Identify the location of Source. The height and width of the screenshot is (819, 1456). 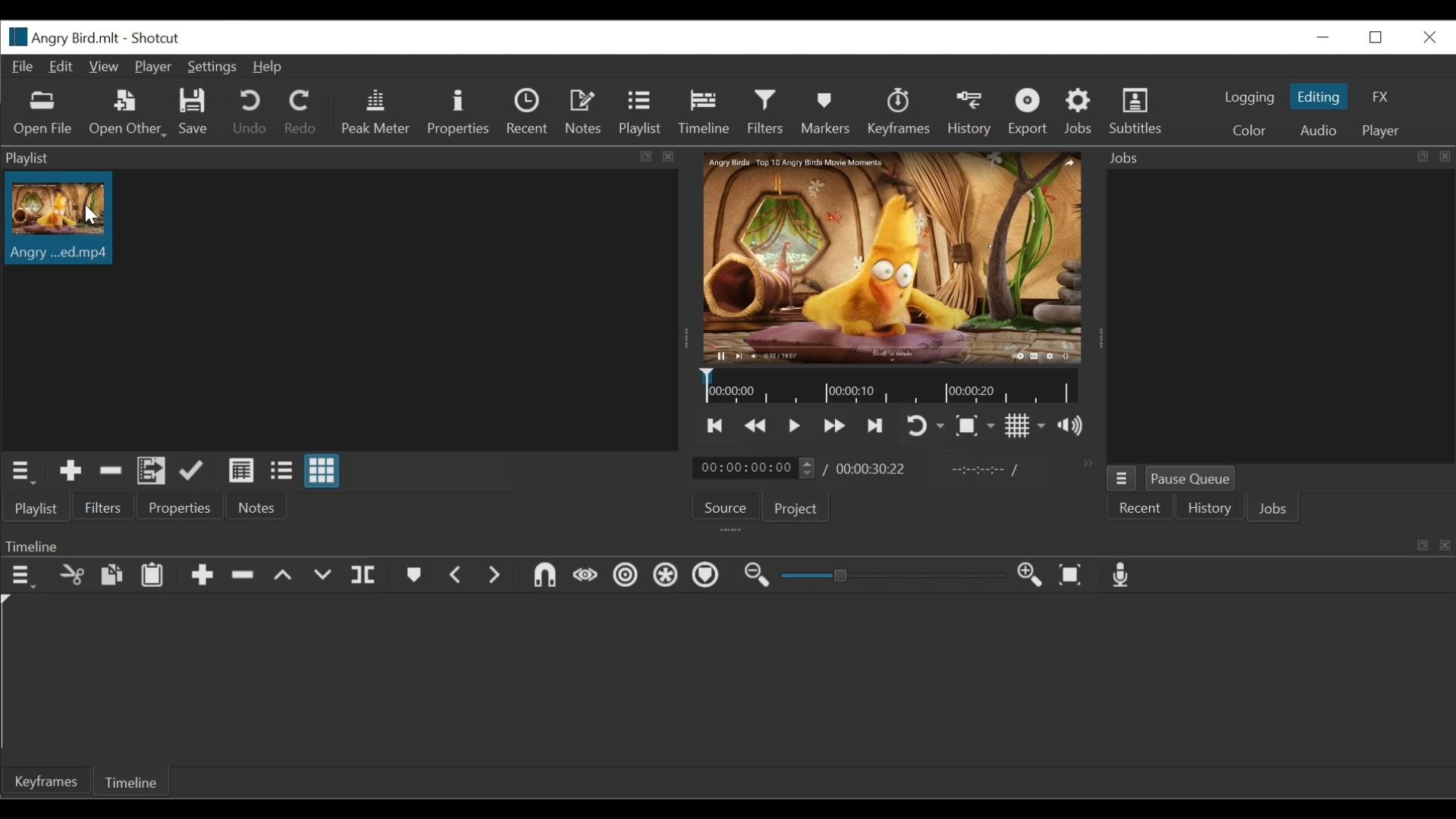
(721, 508).